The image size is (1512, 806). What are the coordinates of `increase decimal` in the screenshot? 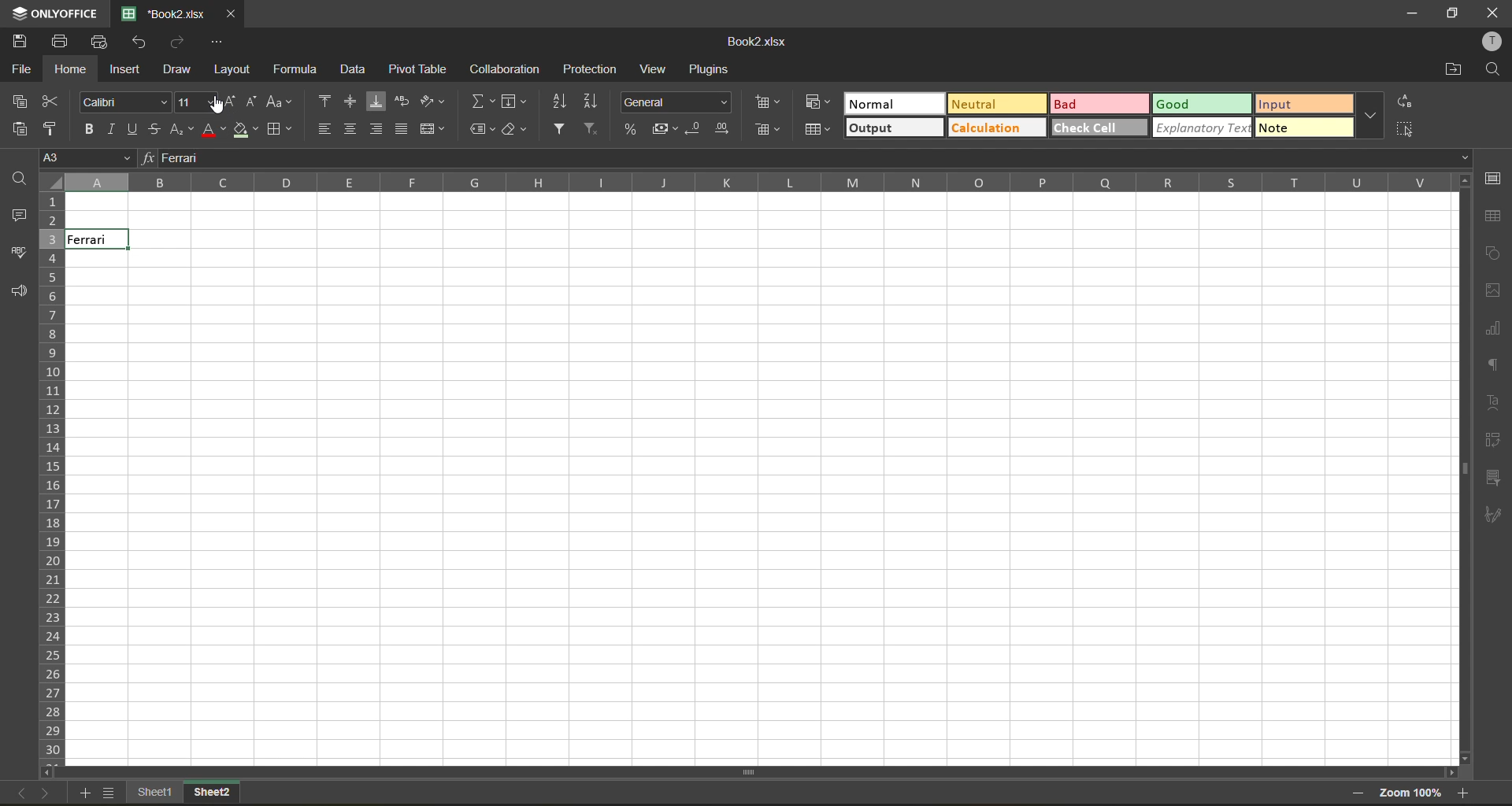 It's located at (729, 126).